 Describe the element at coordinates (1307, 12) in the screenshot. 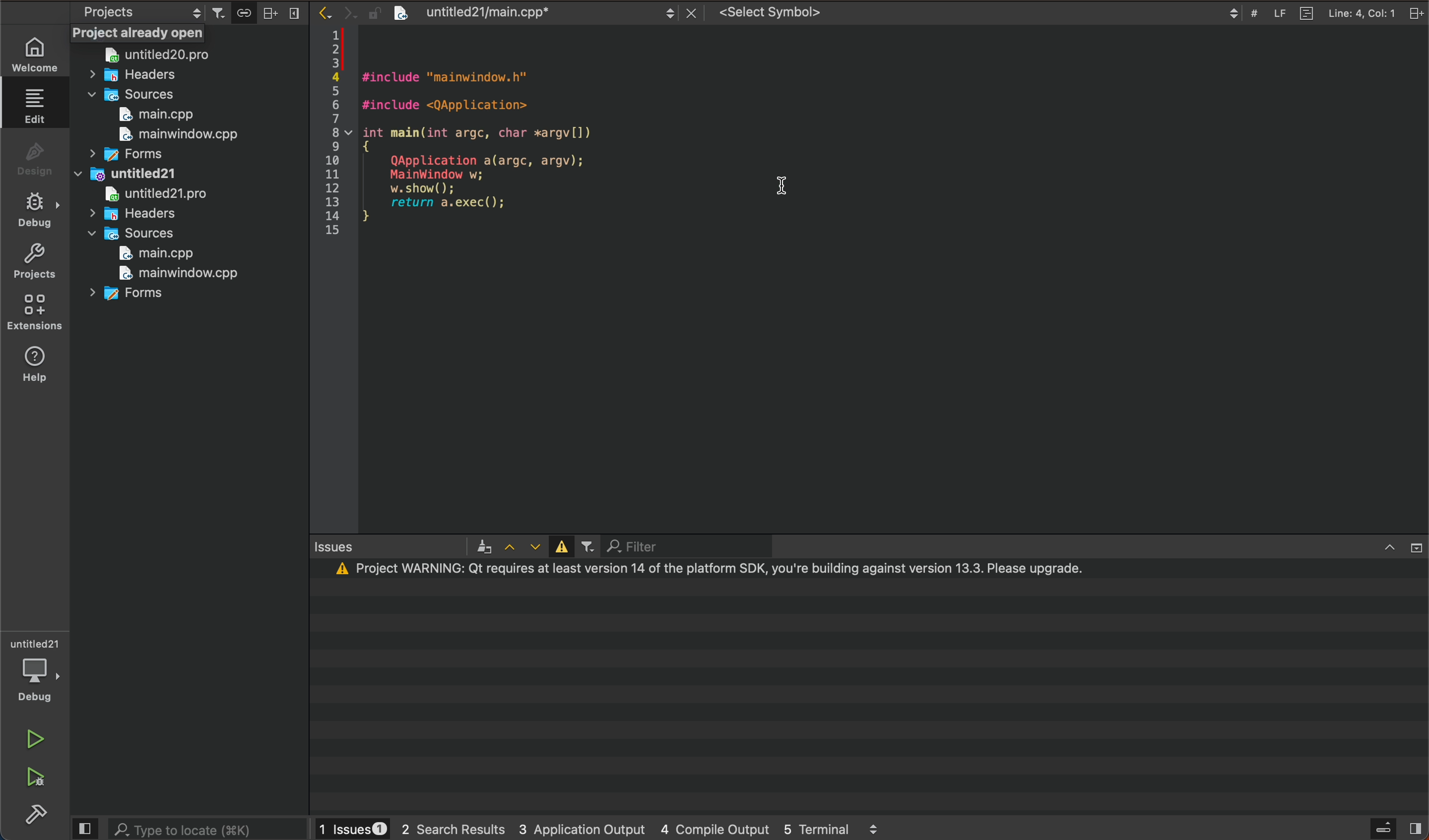

I see `outline view` at that location.